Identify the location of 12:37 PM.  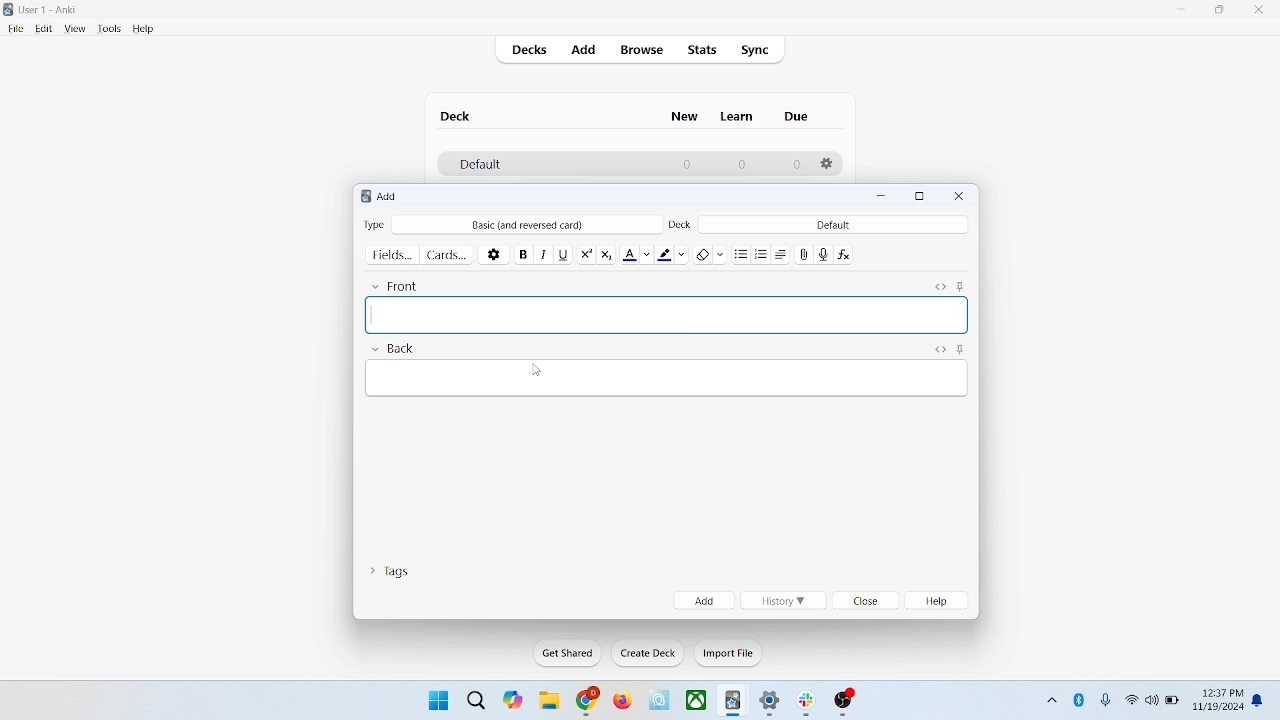
(1221, 693).